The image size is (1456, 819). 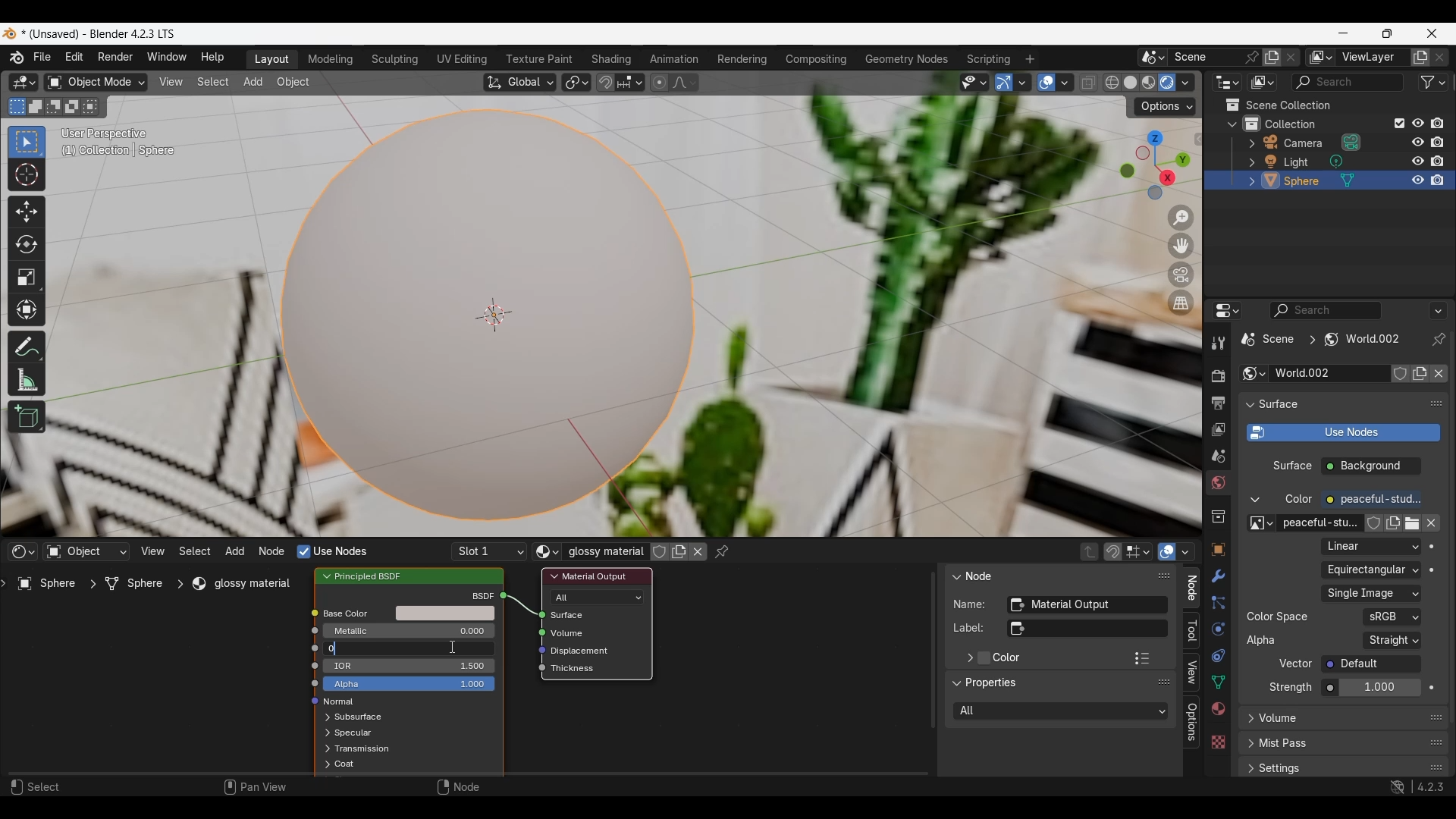 I want to click on Sphere mesh options, so click(x=1348, y=180).